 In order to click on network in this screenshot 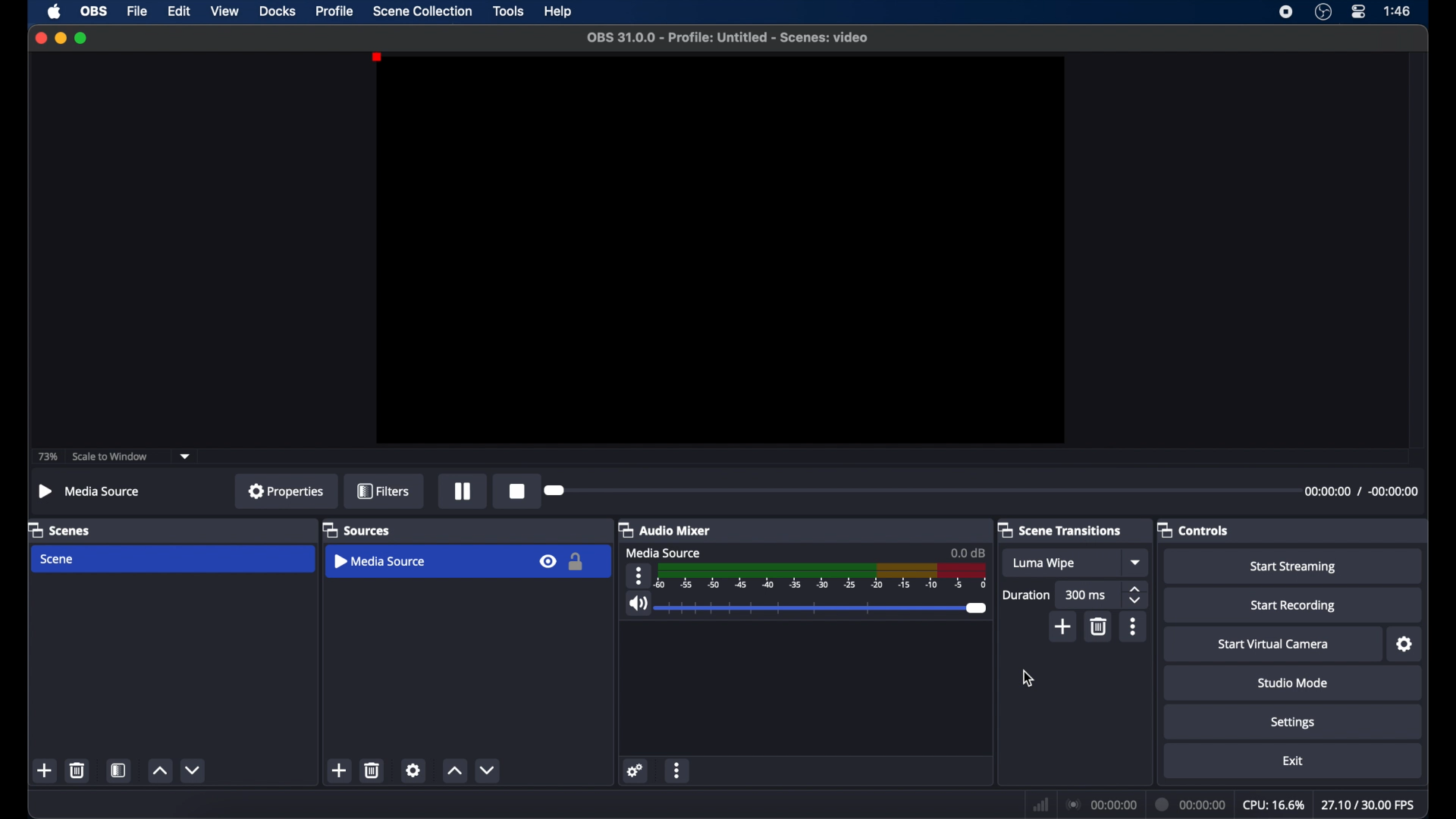, I will do `click(1041, 806)`.